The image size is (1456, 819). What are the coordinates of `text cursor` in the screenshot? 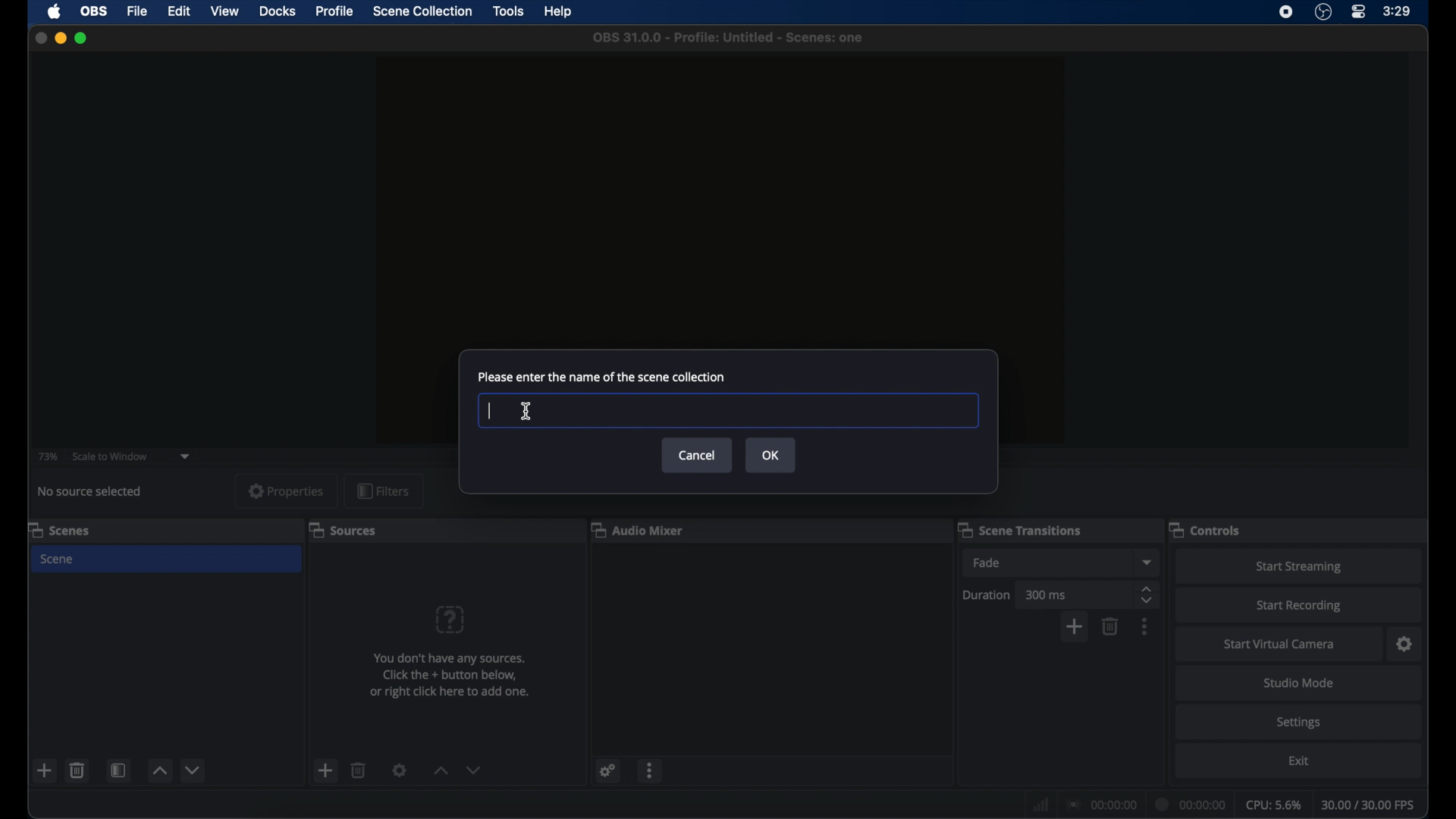 It's located at (491, 410).